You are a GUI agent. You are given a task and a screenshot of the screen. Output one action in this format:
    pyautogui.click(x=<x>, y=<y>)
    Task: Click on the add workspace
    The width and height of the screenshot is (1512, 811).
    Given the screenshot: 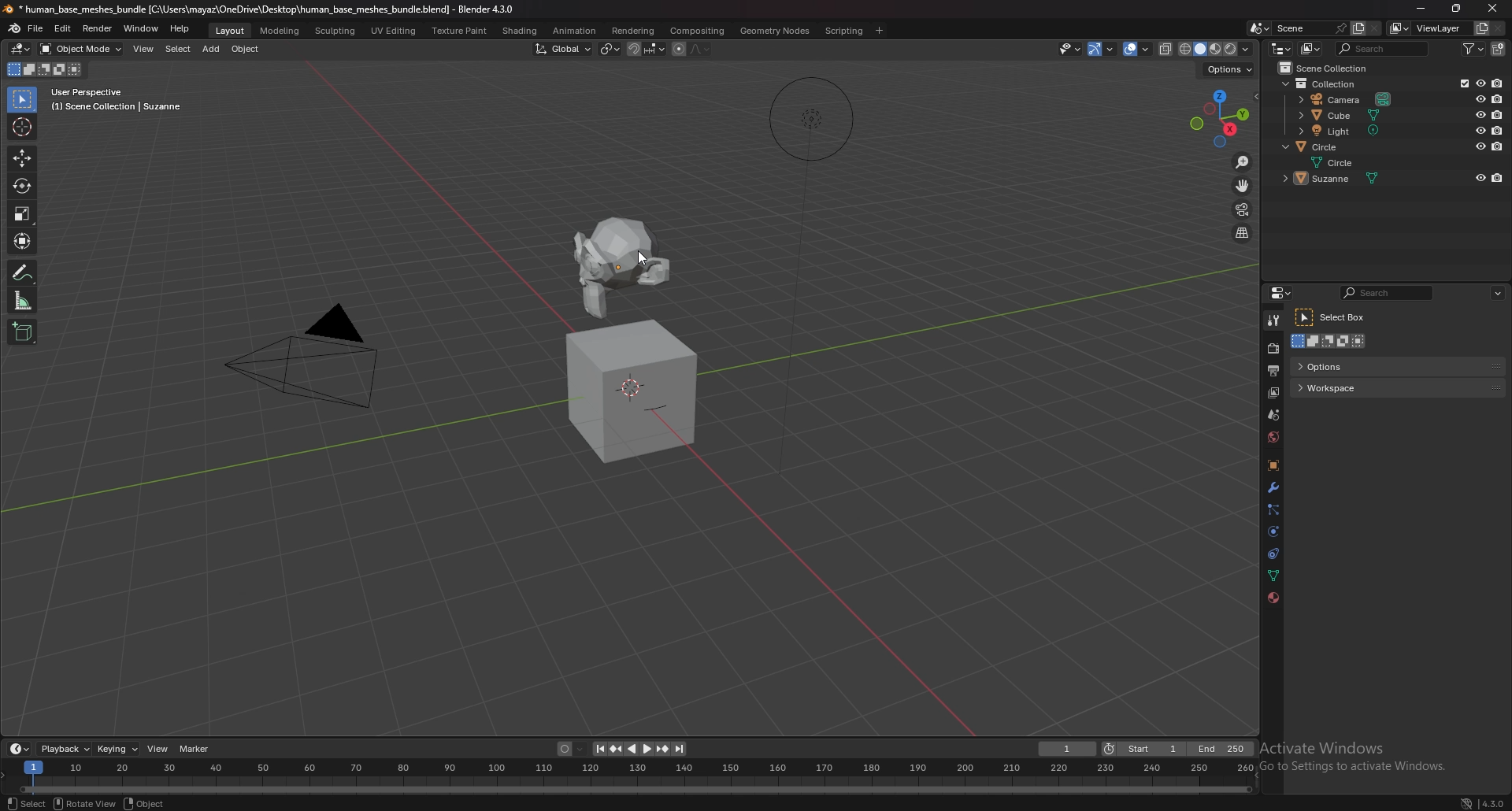 What is the action you would take?
    pyautogui.click(x=880, y=29)
    